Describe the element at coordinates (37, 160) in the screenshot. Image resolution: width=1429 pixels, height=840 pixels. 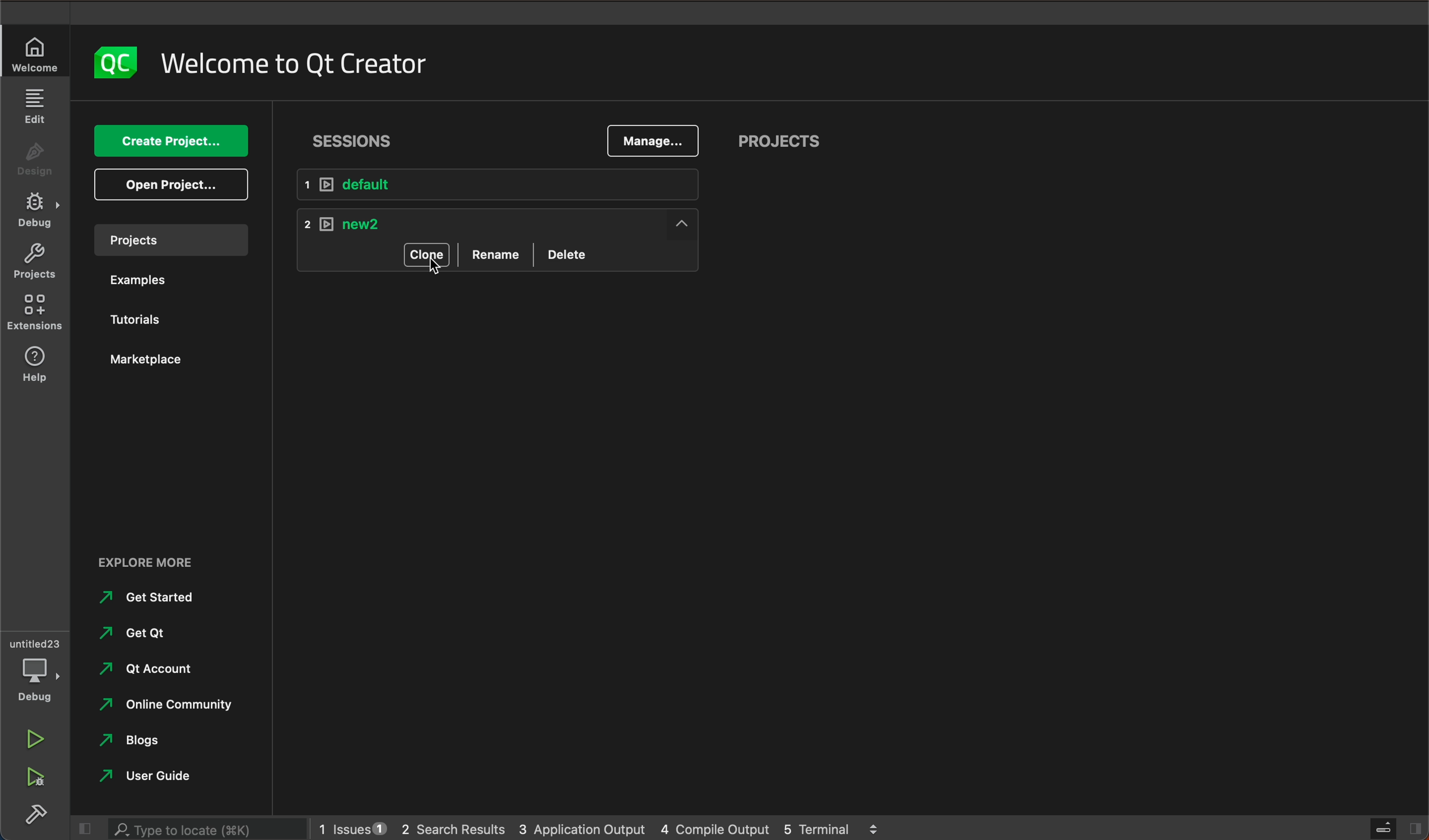
I see `design` at that location.